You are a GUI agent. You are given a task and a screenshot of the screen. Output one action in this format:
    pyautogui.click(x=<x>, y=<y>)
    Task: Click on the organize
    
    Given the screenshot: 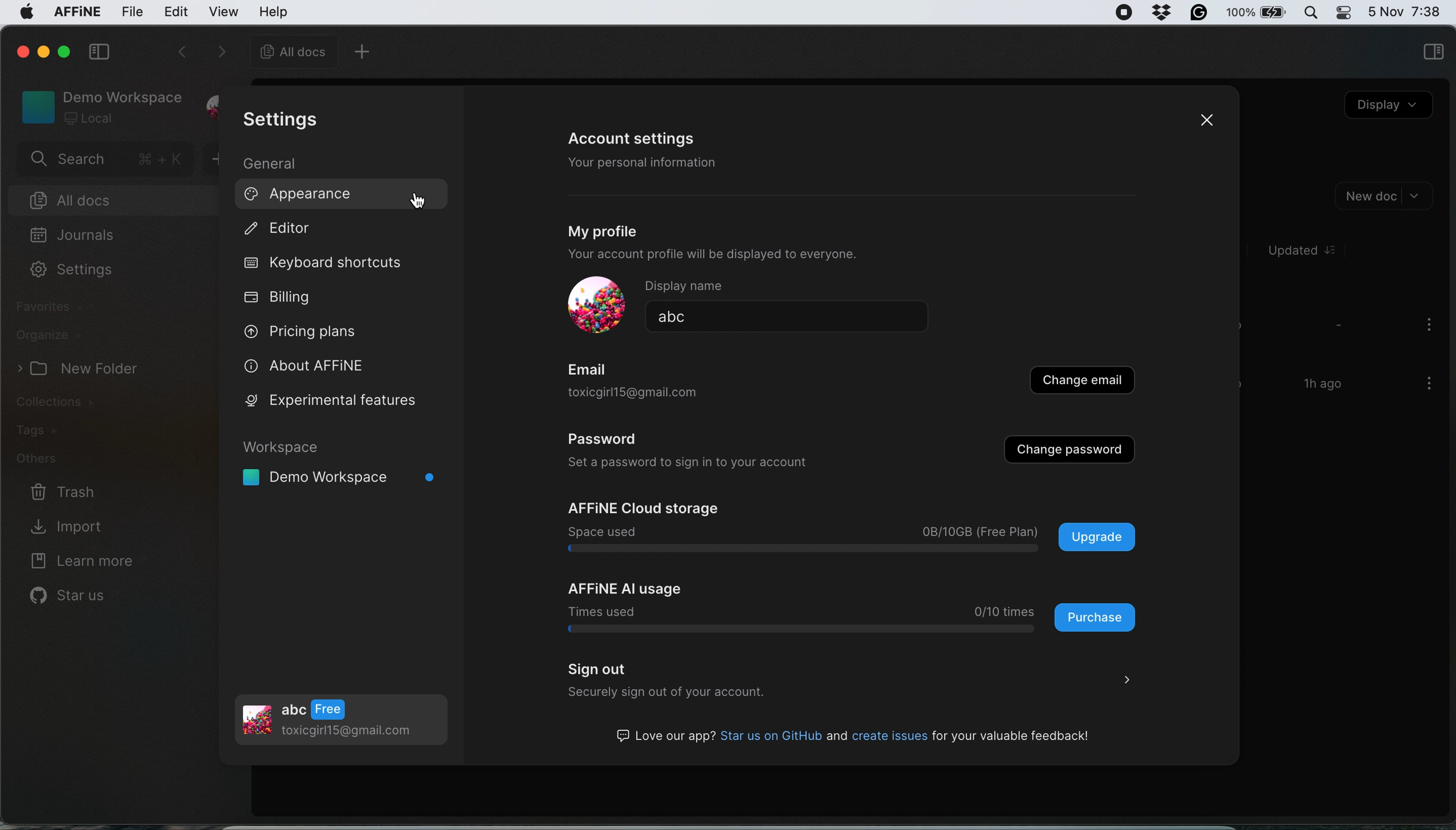 What is the action you would take?
    pyautogui.click(x=48, y=335)
    